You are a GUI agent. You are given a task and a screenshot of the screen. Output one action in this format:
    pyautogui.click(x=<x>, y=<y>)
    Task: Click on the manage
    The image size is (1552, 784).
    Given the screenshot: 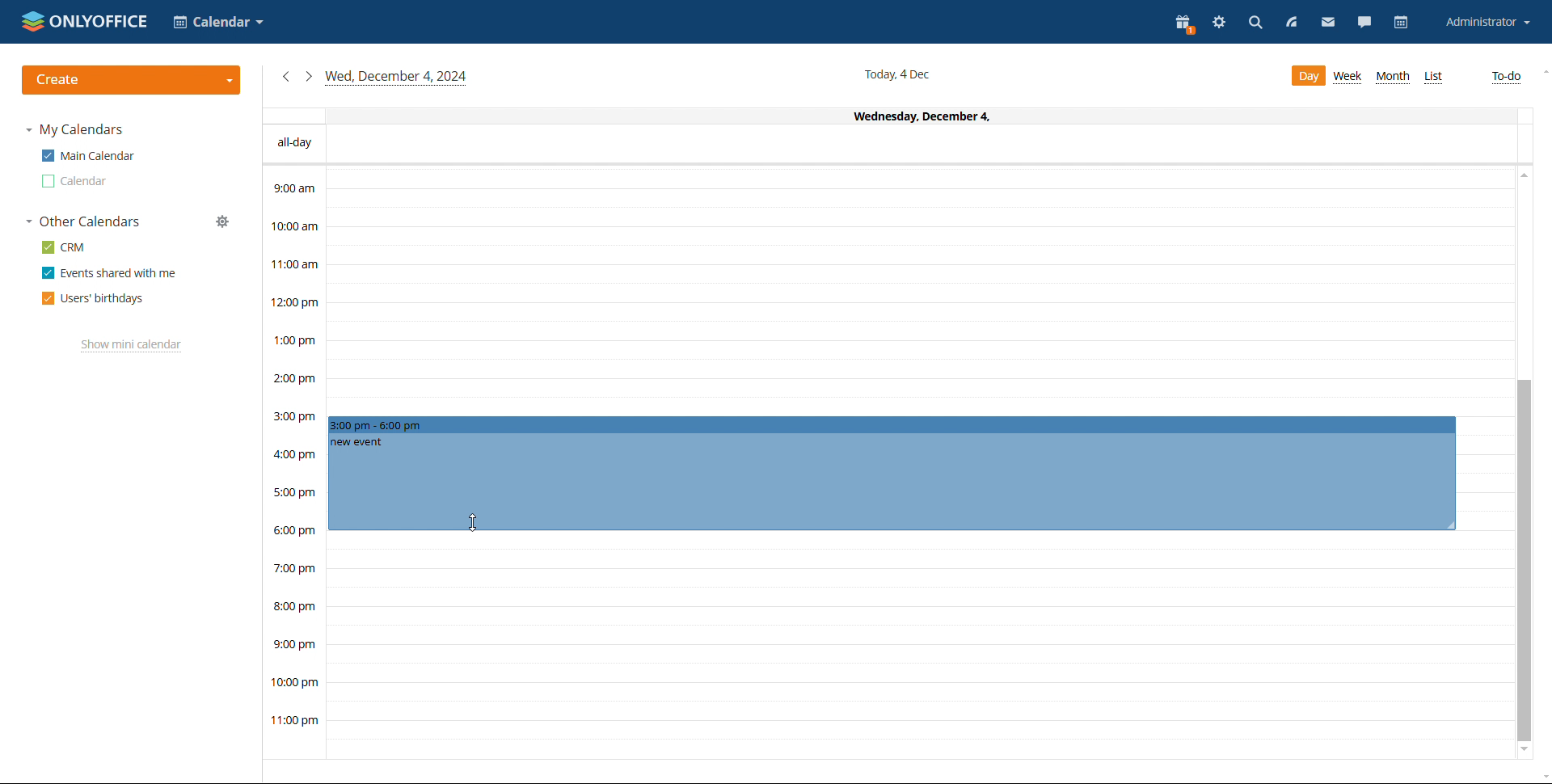 What is the action you would take?
    pyautogui.click(x=222, y=221)
    